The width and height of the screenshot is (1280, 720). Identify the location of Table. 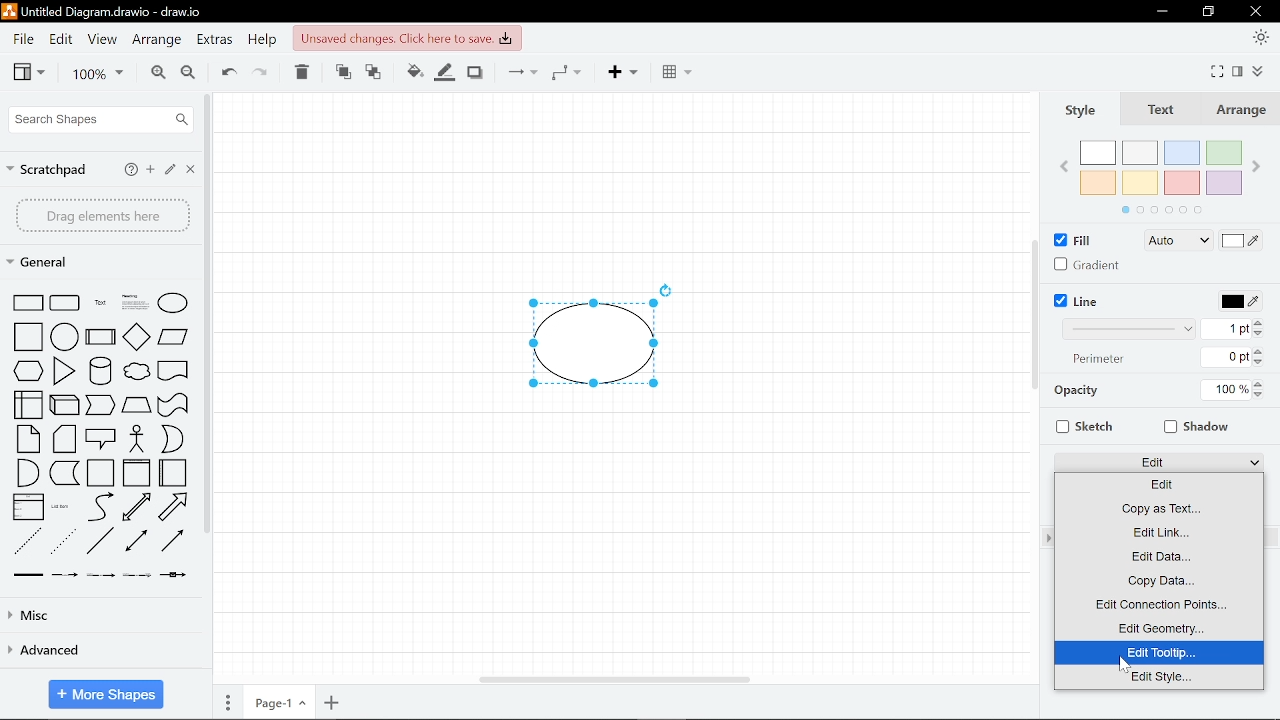
(678, 71).